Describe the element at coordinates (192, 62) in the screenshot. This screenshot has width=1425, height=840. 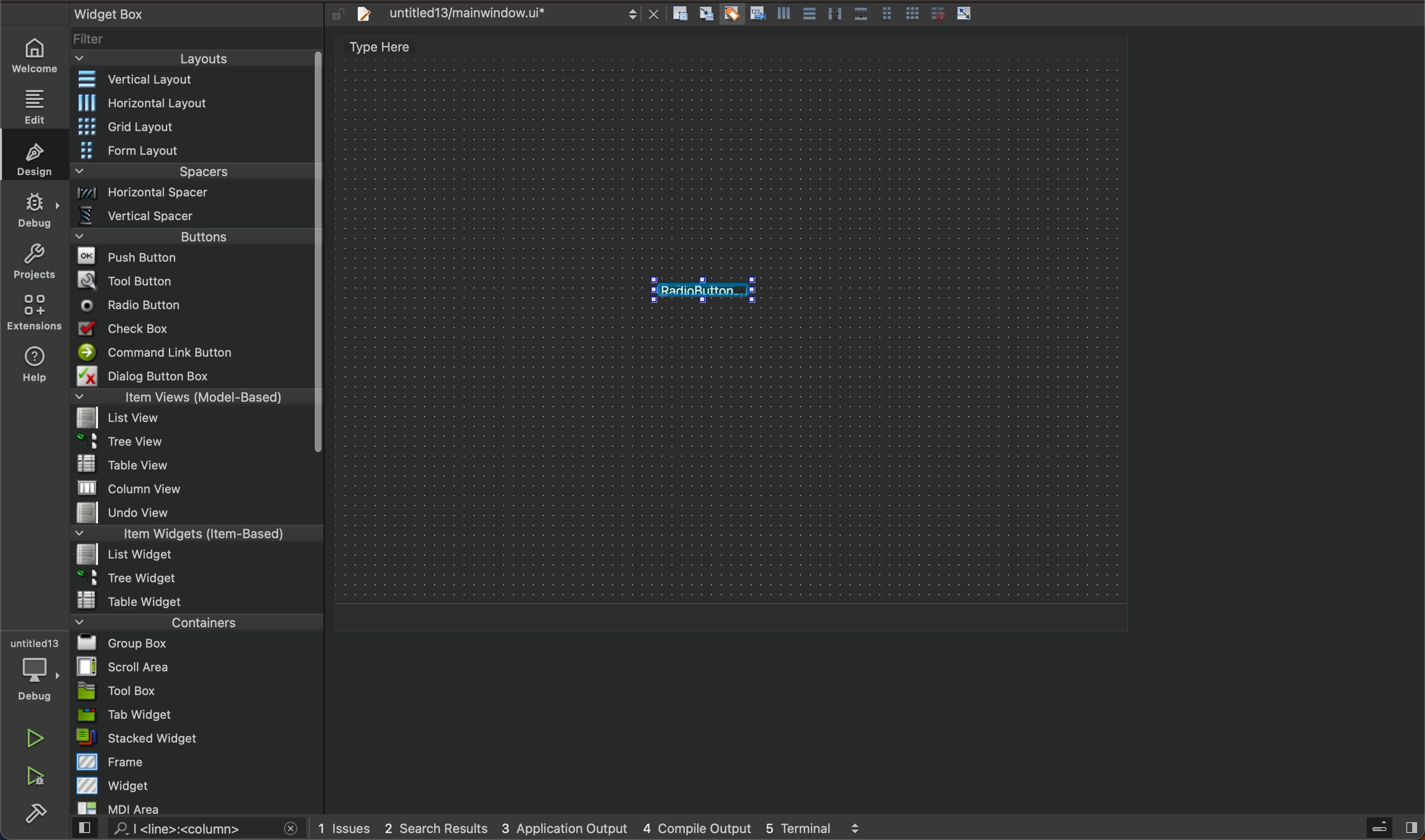
I see `layouts` at that location.